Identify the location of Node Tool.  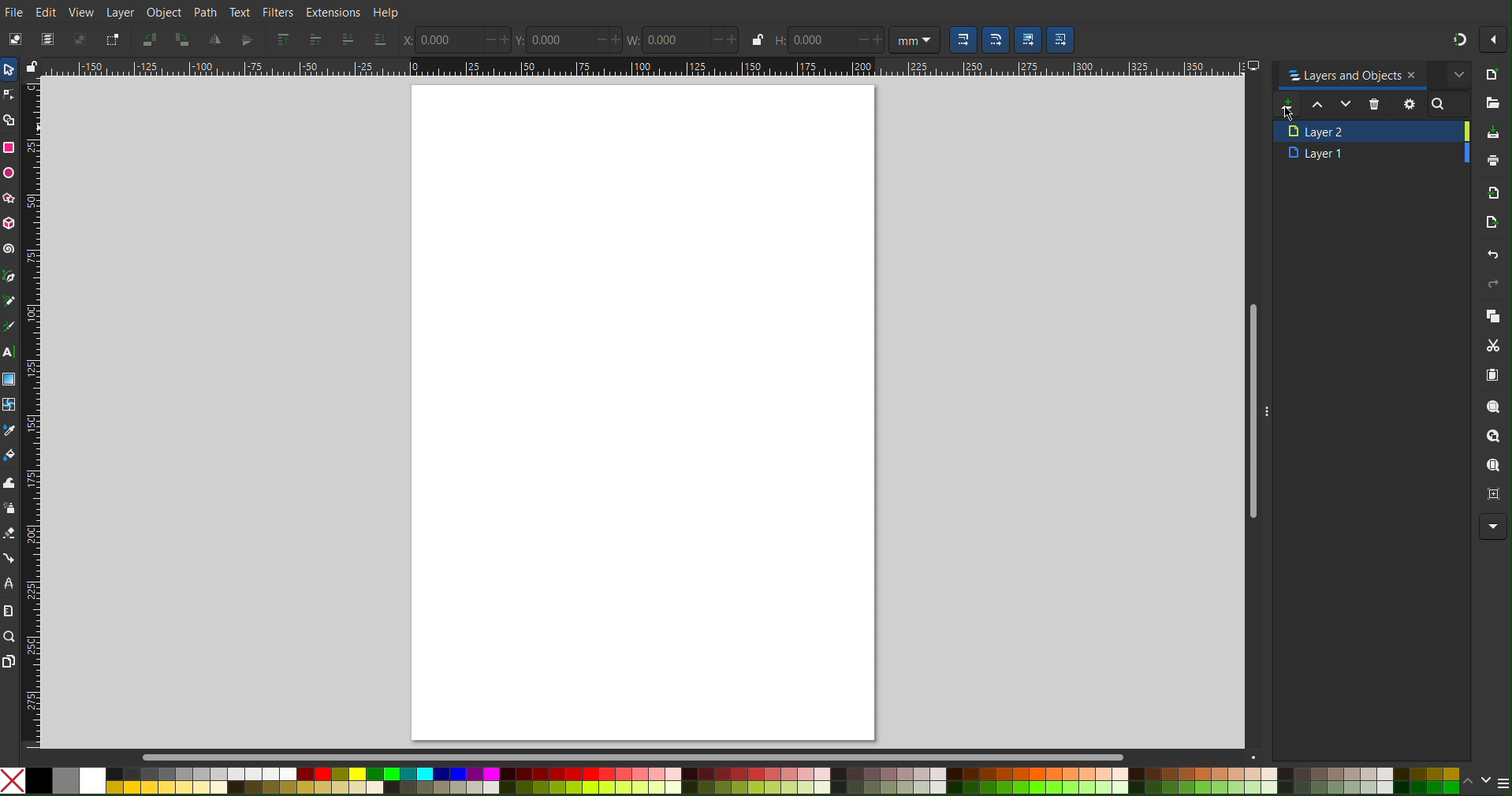
(13, 96).